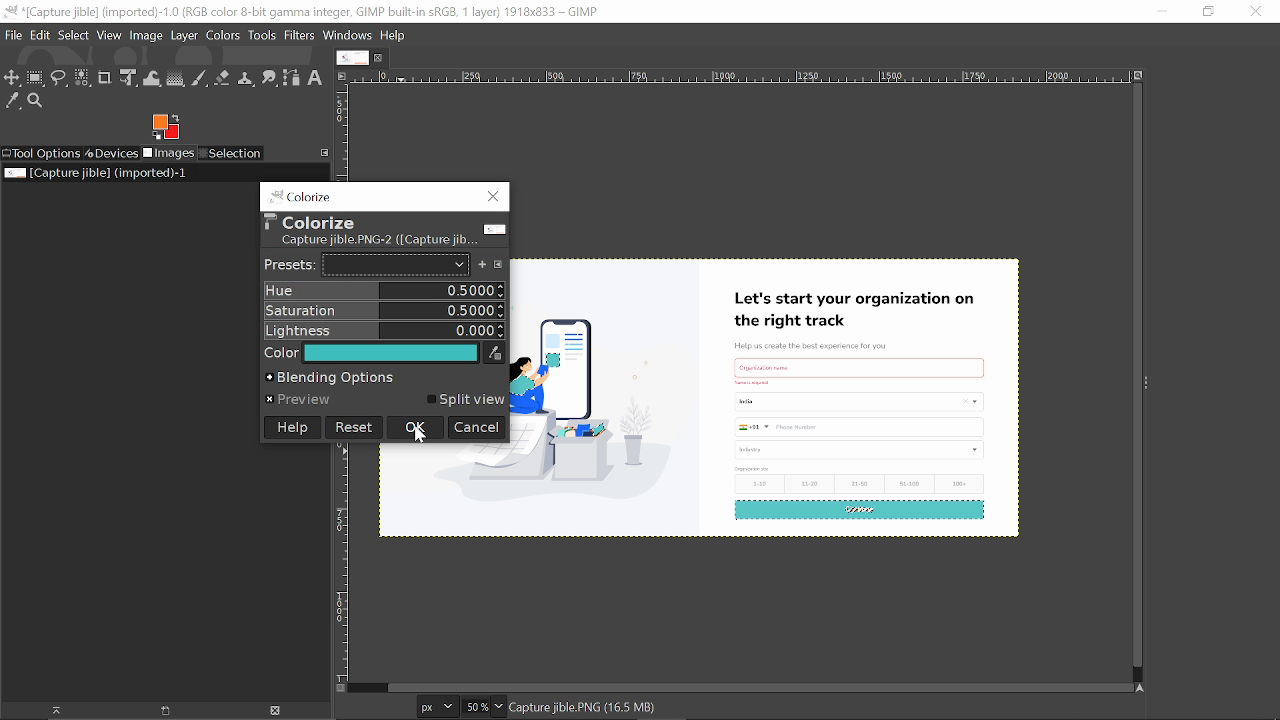 The image size is (1280, 720). I want to click on Add preset, so click(483, 265).